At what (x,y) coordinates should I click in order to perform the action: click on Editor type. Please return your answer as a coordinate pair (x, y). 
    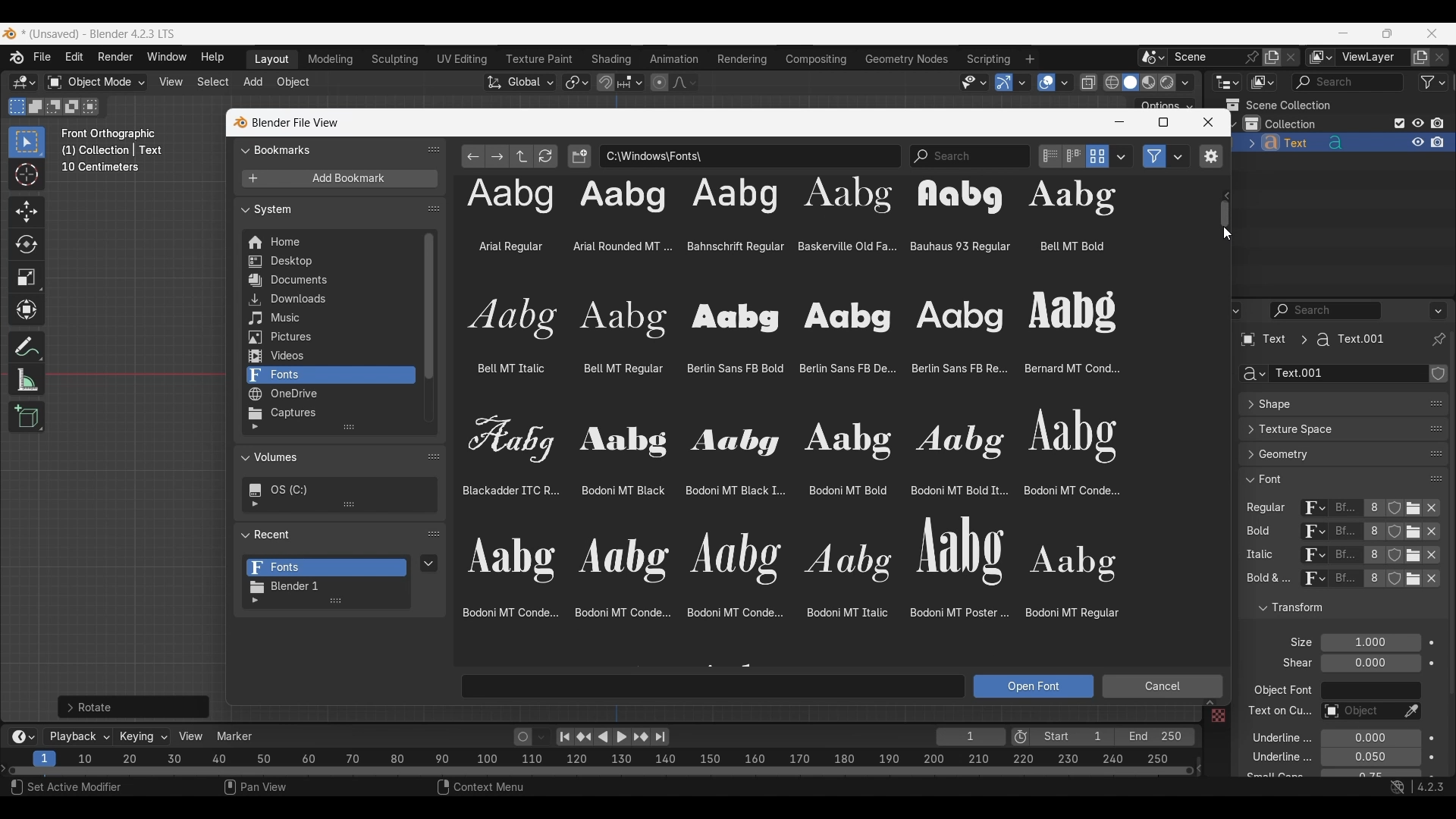
    Looking at the image, I should click on (1227, 82).